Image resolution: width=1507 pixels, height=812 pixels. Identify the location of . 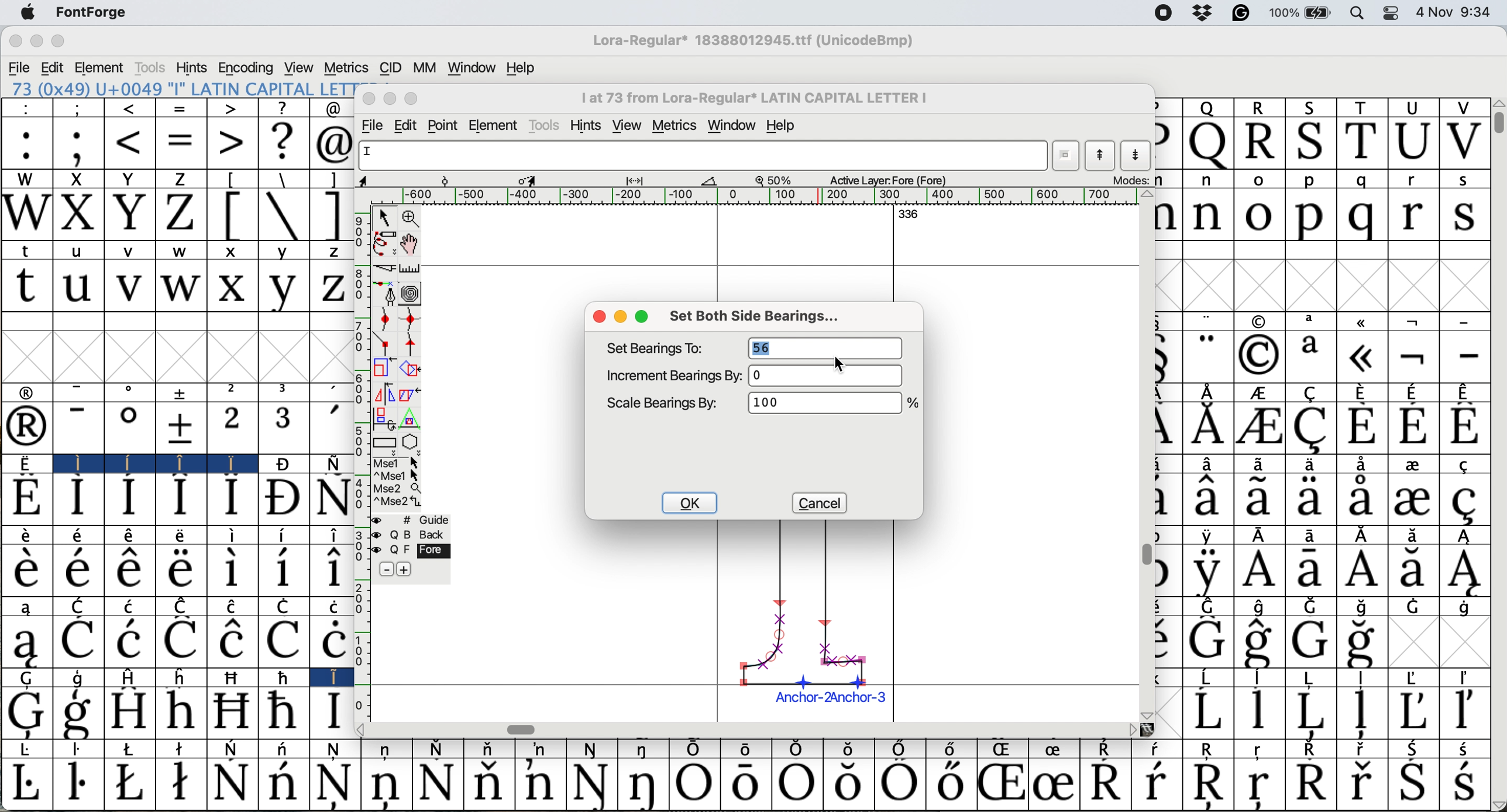
(528, 180).